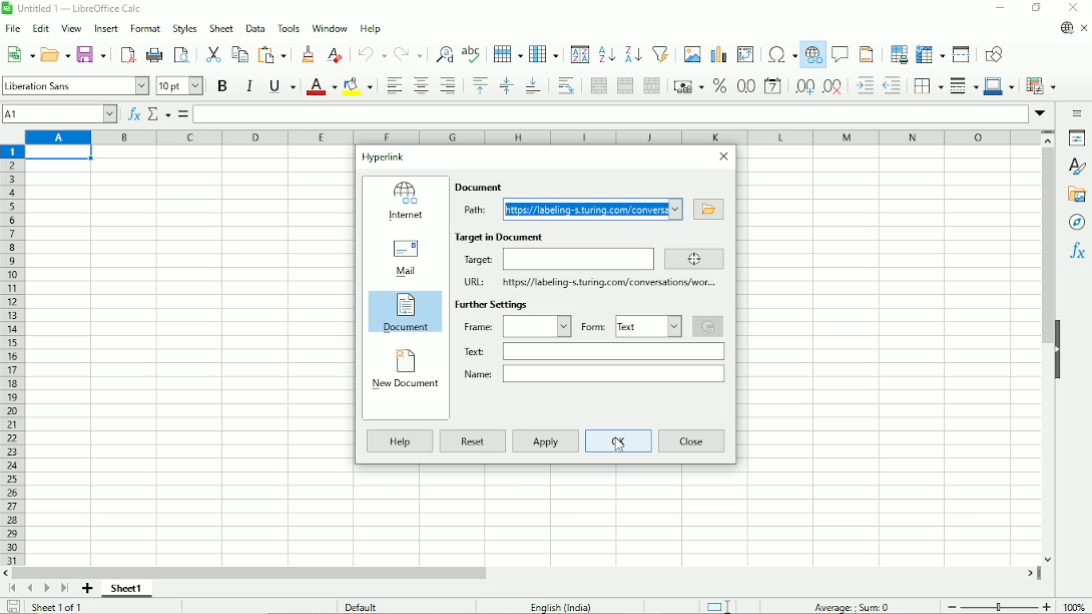  What do you see at coordinates (499, 237) in the screenshot?
I see `Target in document` at bounding box center [499, 237].